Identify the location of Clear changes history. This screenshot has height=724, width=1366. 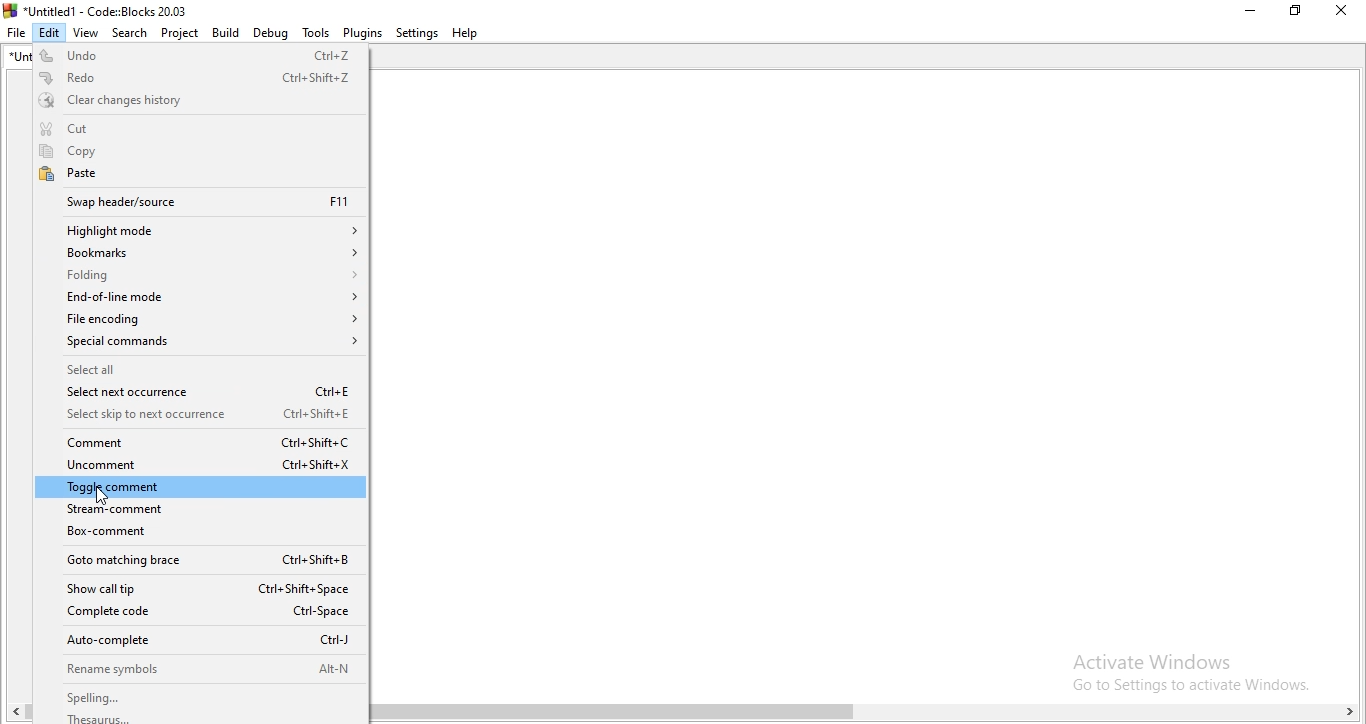
(199, 103).